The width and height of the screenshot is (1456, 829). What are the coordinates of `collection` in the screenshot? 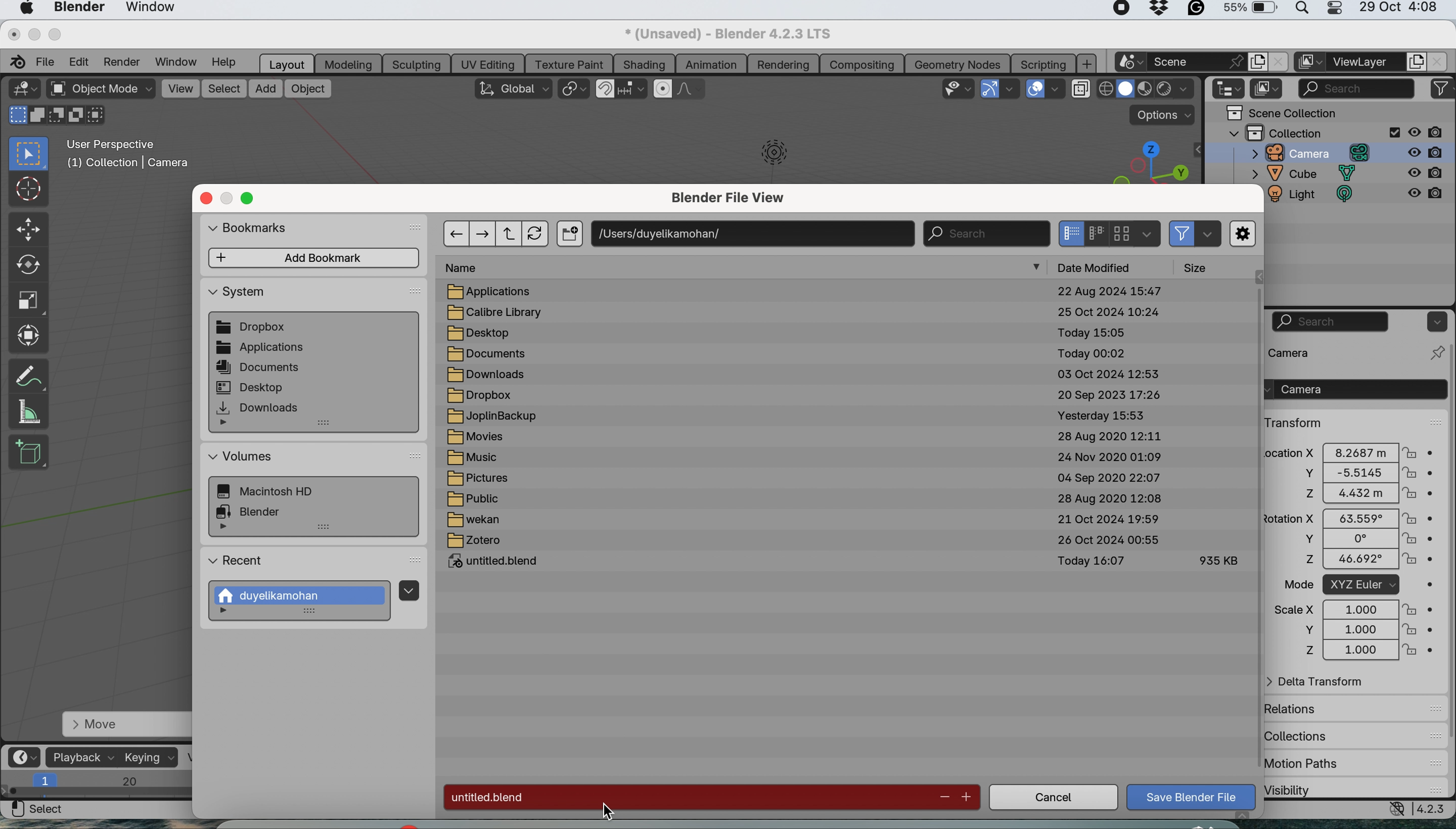 It's located at (1314, 132).